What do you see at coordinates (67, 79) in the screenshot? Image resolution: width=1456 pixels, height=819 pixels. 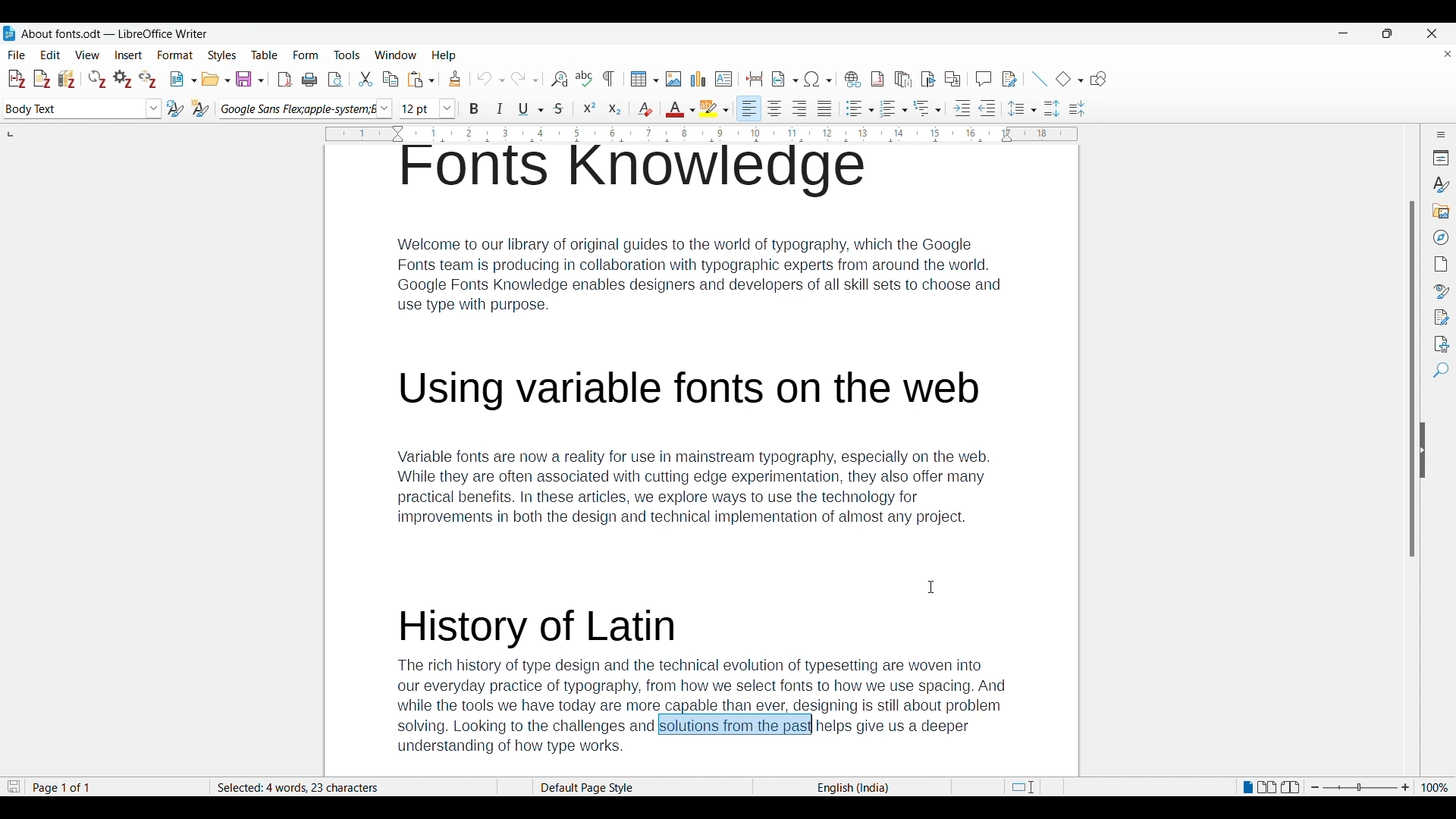 I see `Add/Edit Bibliography` at bounding box center [67, 79].